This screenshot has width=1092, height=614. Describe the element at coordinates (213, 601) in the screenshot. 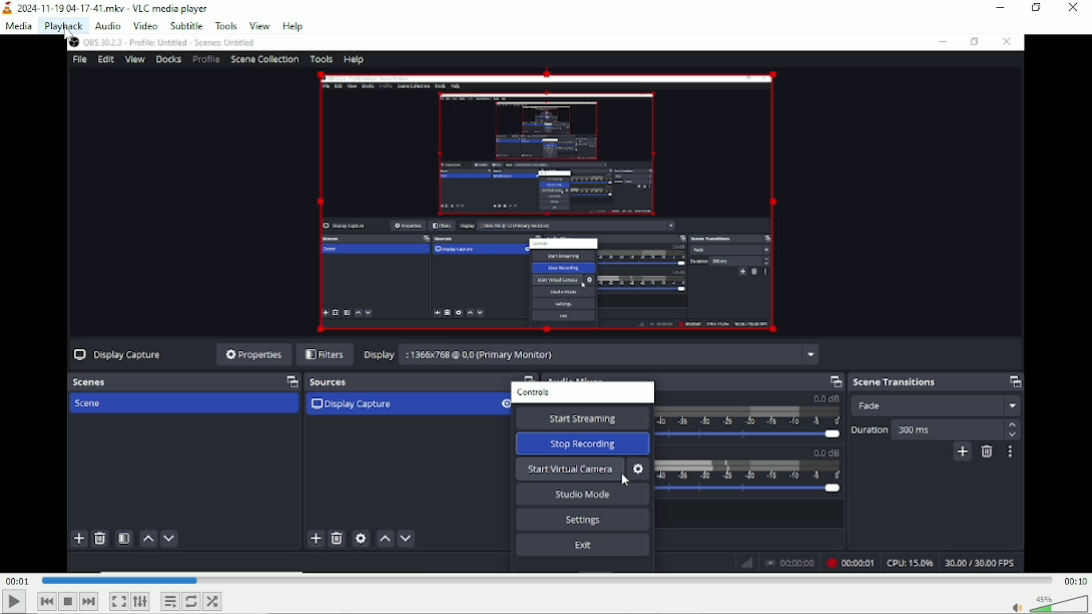

I see `random` at that location.